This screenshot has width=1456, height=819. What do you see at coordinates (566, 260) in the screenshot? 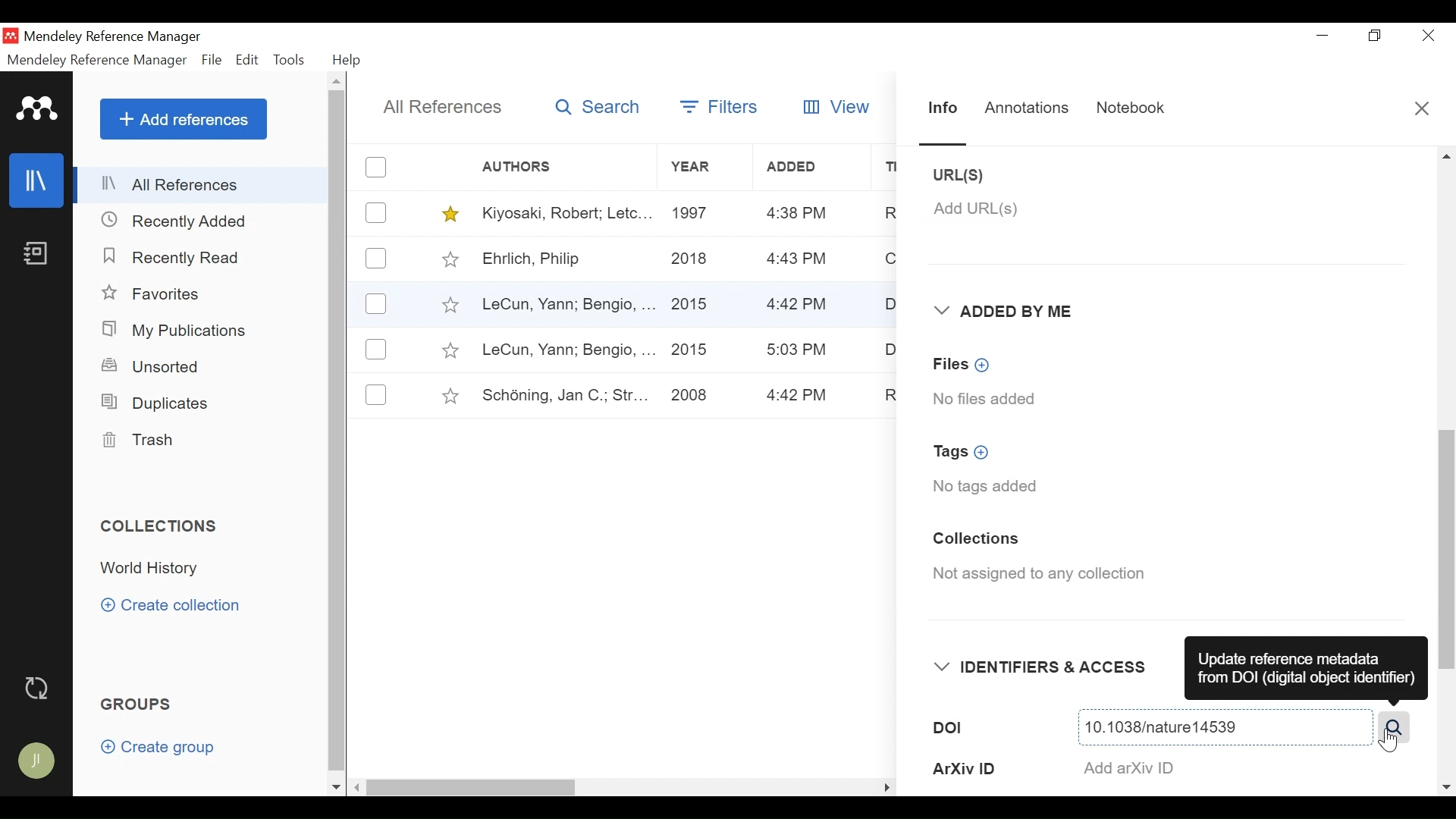
I see `Ehrlich, Philip` at bounding box center [566, 260].